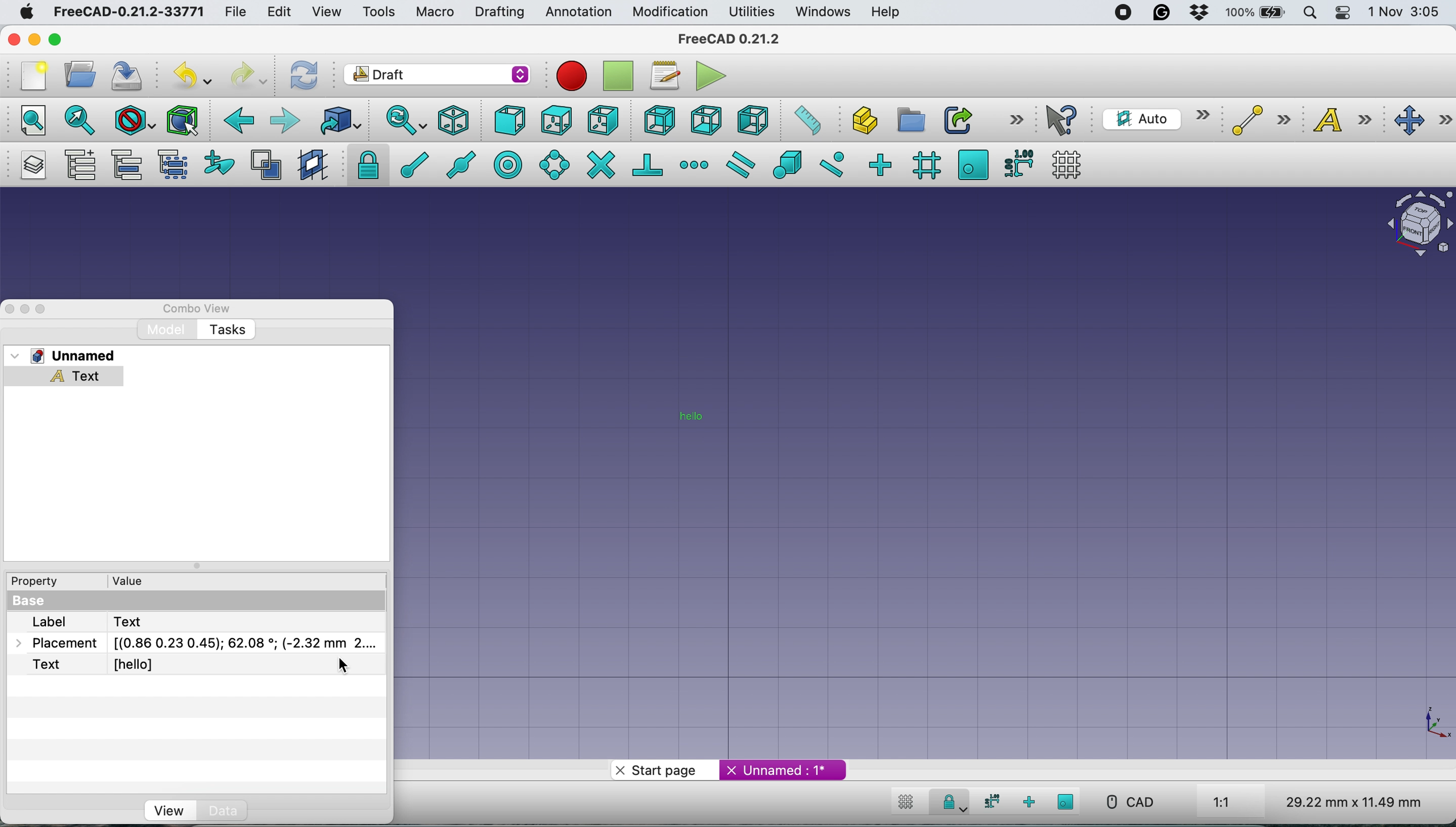  Describe the element at coordinates (410, 166) in the screenshot. I see `snap at end` at that location.